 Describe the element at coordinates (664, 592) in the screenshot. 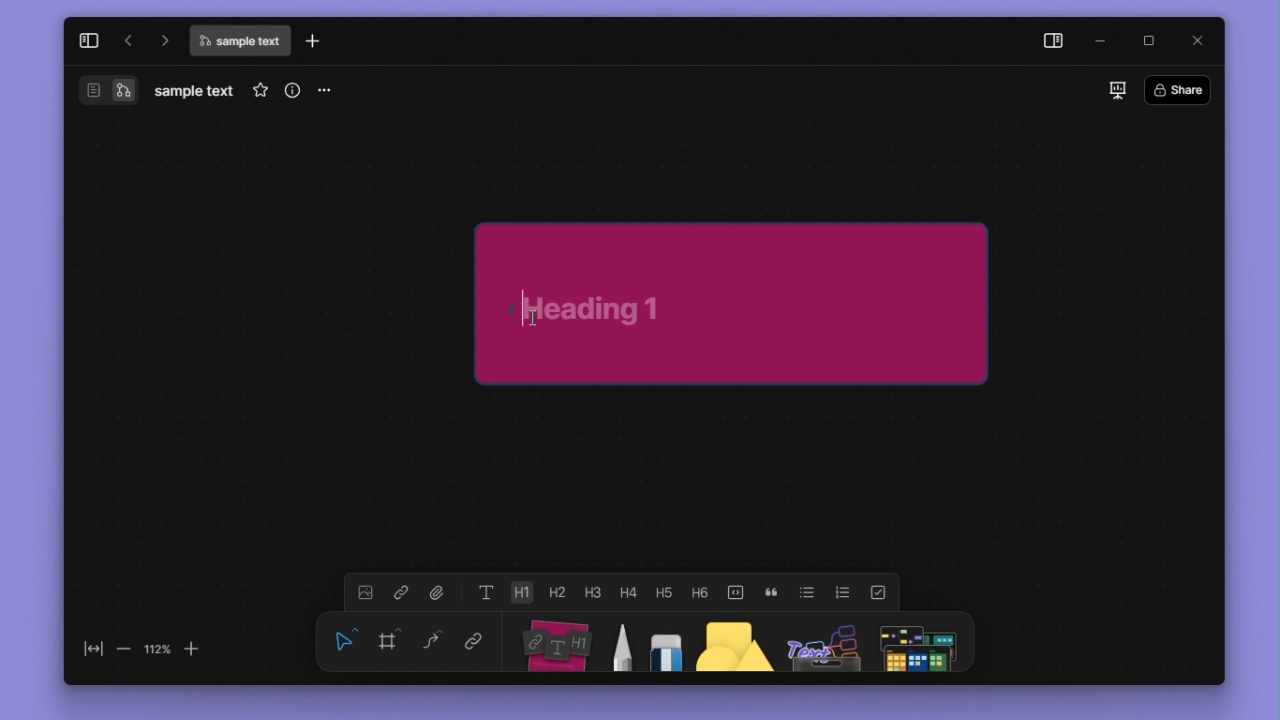

I see `Heading 5` at that location.